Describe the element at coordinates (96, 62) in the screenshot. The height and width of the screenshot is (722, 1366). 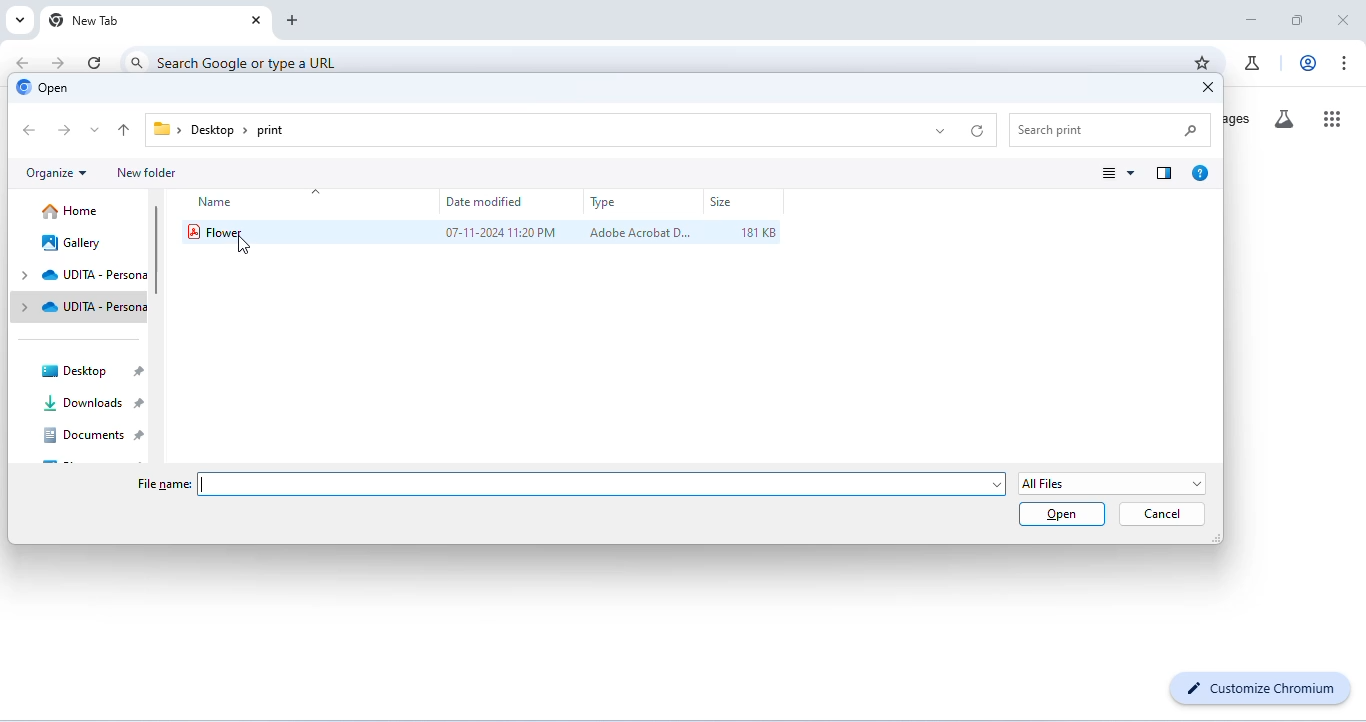
I see `refresh` at that location.